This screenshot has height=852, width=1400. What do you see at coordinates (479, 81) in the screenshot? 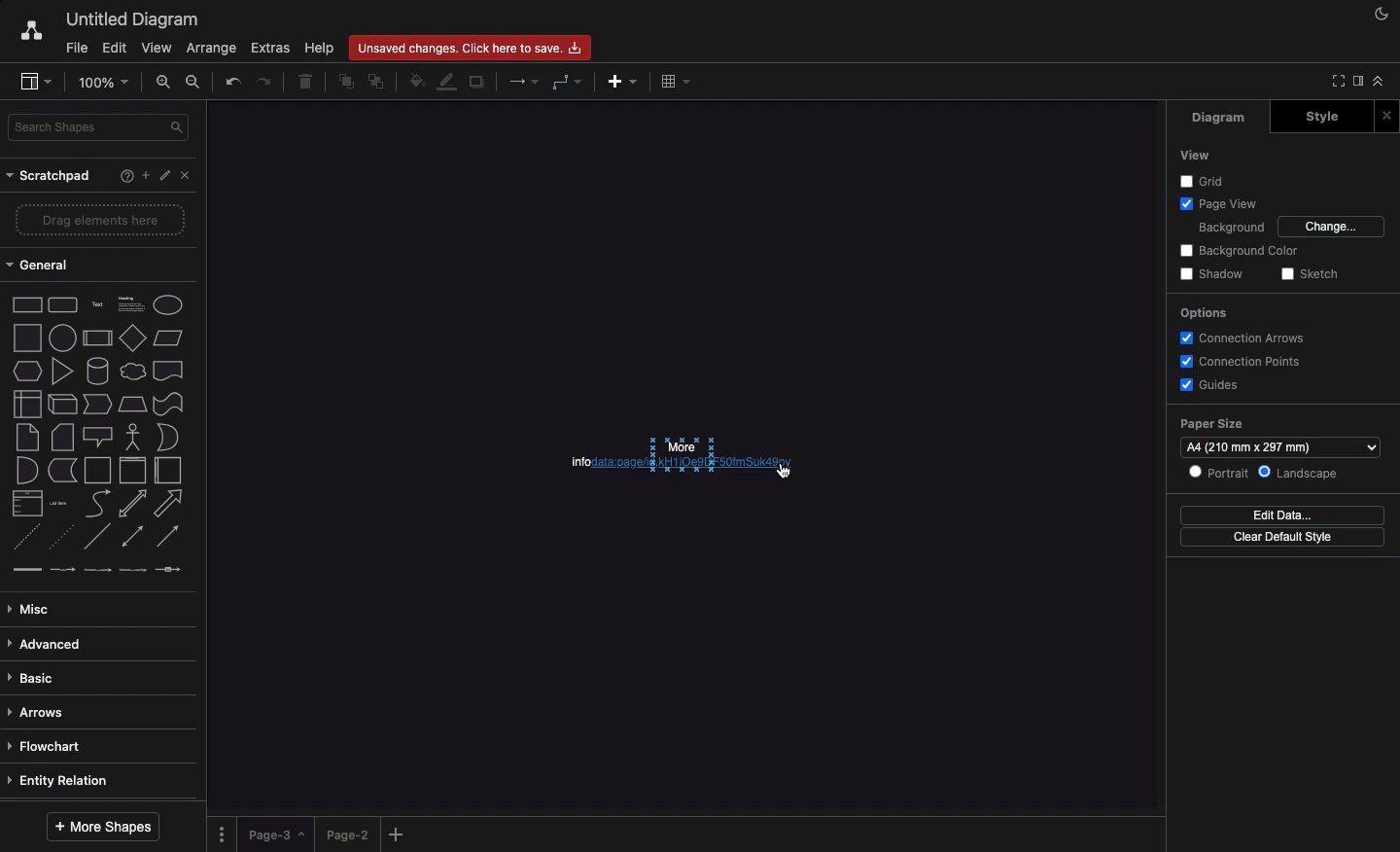
I see `Duplicate` at bounding box center [479, 81].